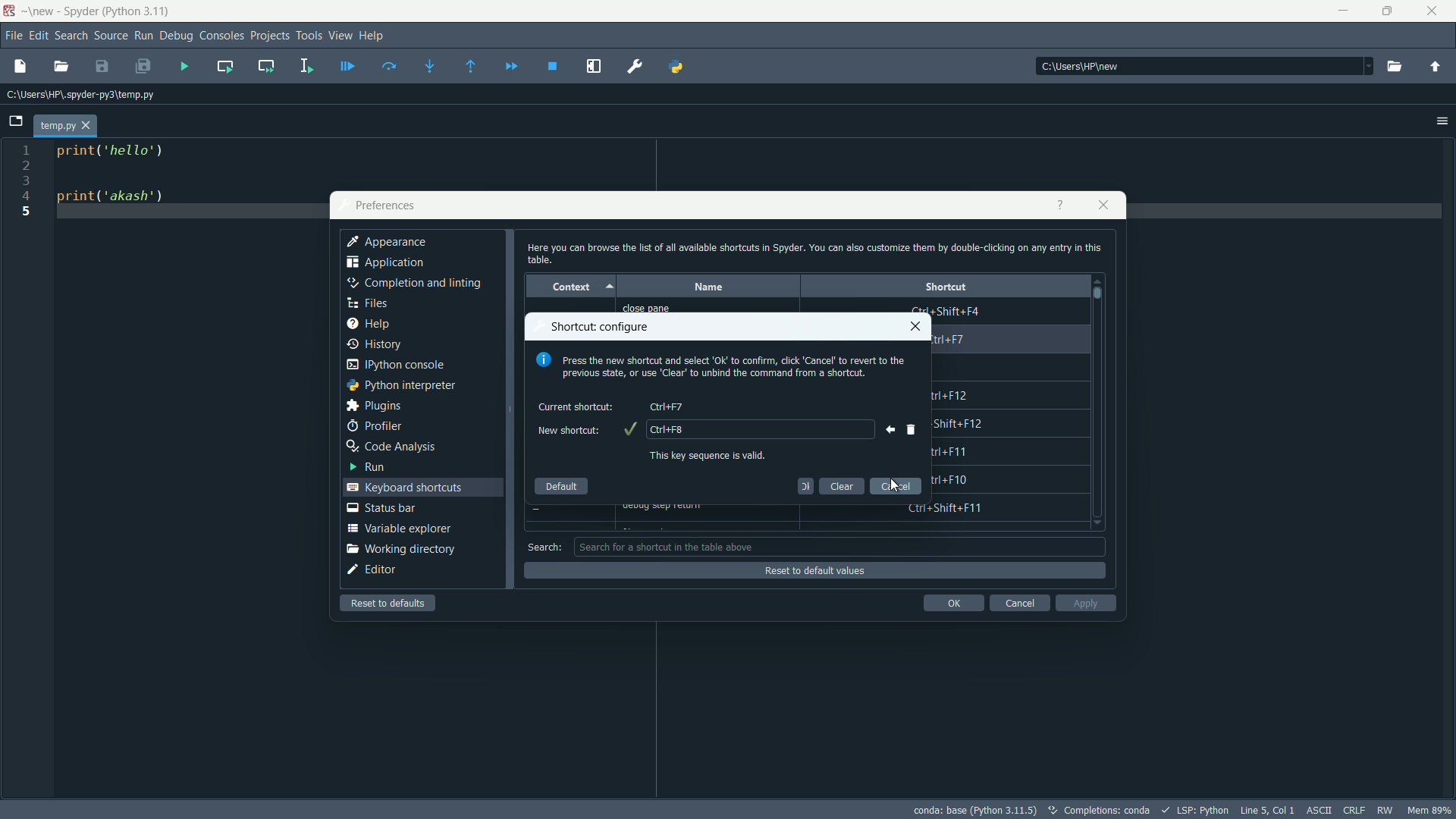 The image size is (1456, 819). What do you see at coordinates (1387, 810) in the screenshot?
I see `rw` at bounding box center [1387, 810].